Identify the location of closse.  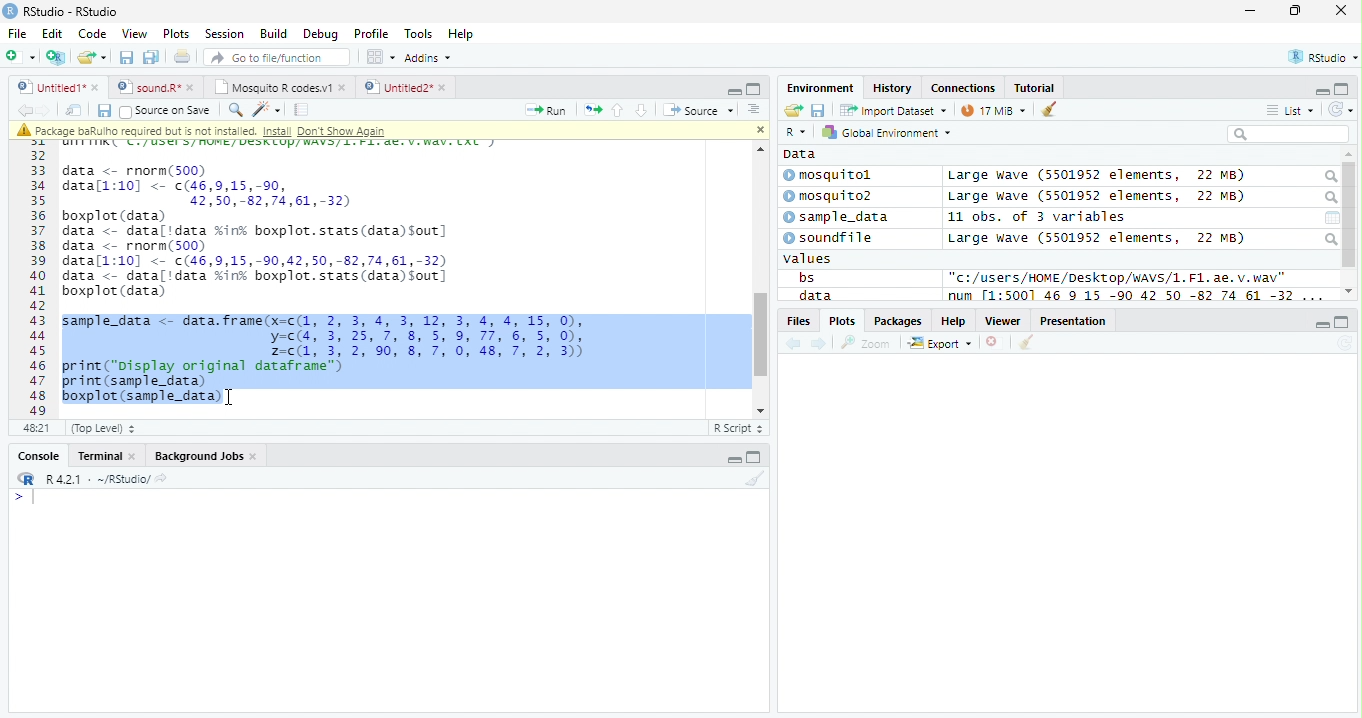
(1342, 10).